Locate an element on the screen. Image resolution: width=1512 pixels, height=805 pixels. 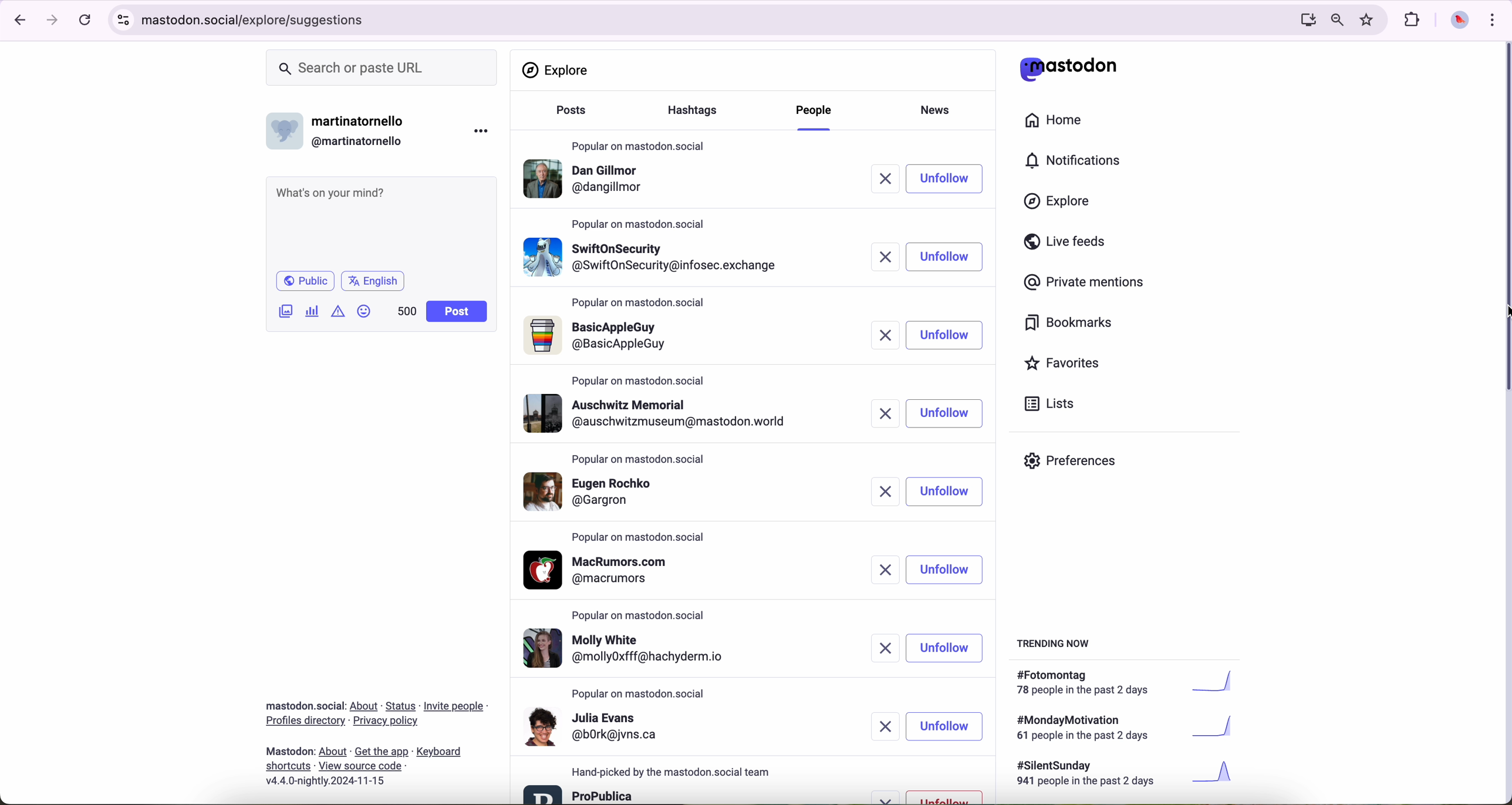
popular on mastodon.social is located at coordinates (639, 143).